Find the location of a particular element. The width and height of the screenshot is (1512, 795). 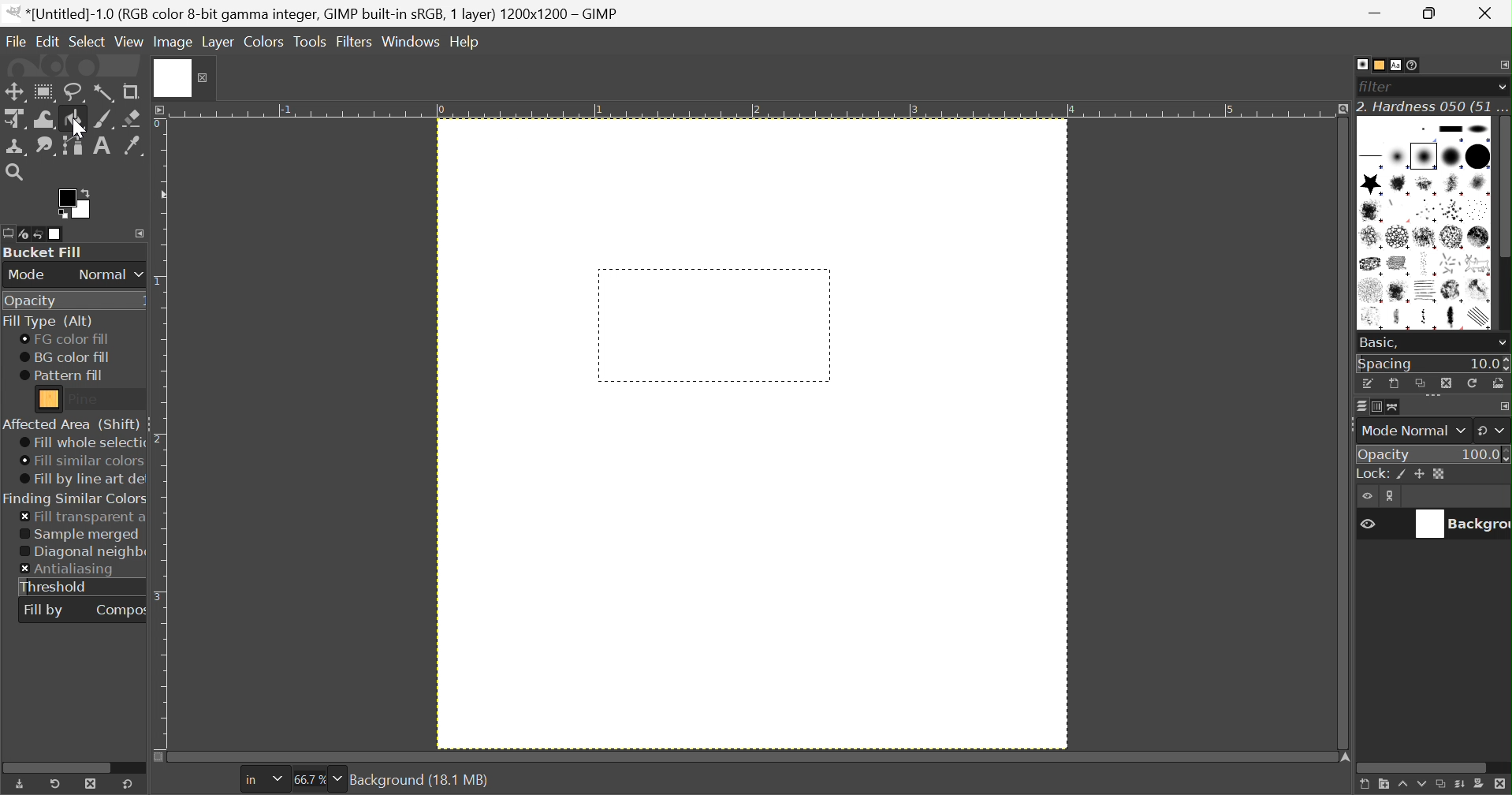

Free Select Tool is located at coordinates (75, 93).